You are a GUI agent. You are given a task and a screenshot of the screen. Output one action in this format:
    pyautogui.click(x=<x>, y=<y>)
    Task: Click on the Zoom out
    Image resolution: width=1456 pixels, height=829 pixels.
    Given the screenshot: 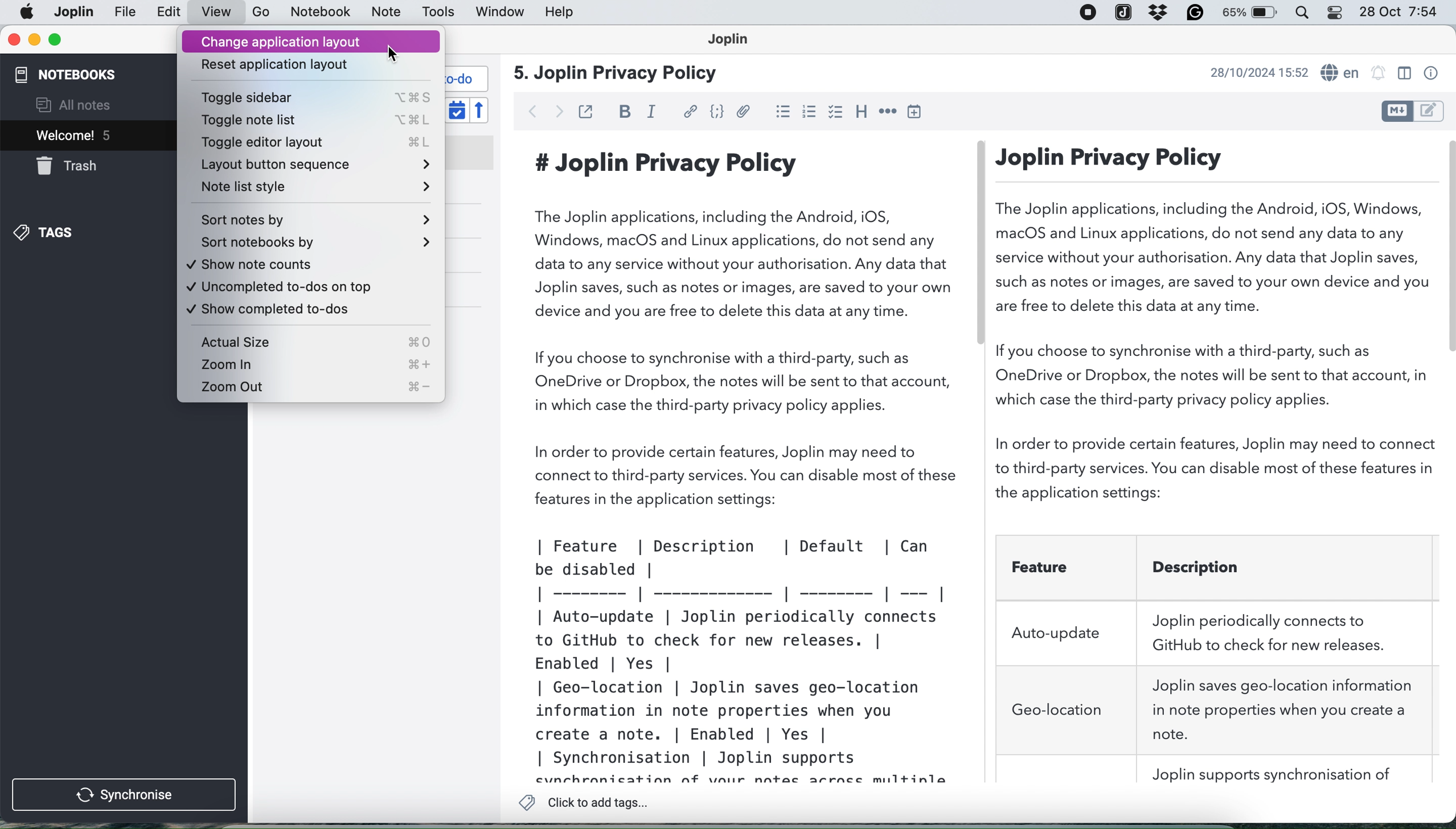 What is the action you would take?
    pyautogui.click(x=312, y=389)
    